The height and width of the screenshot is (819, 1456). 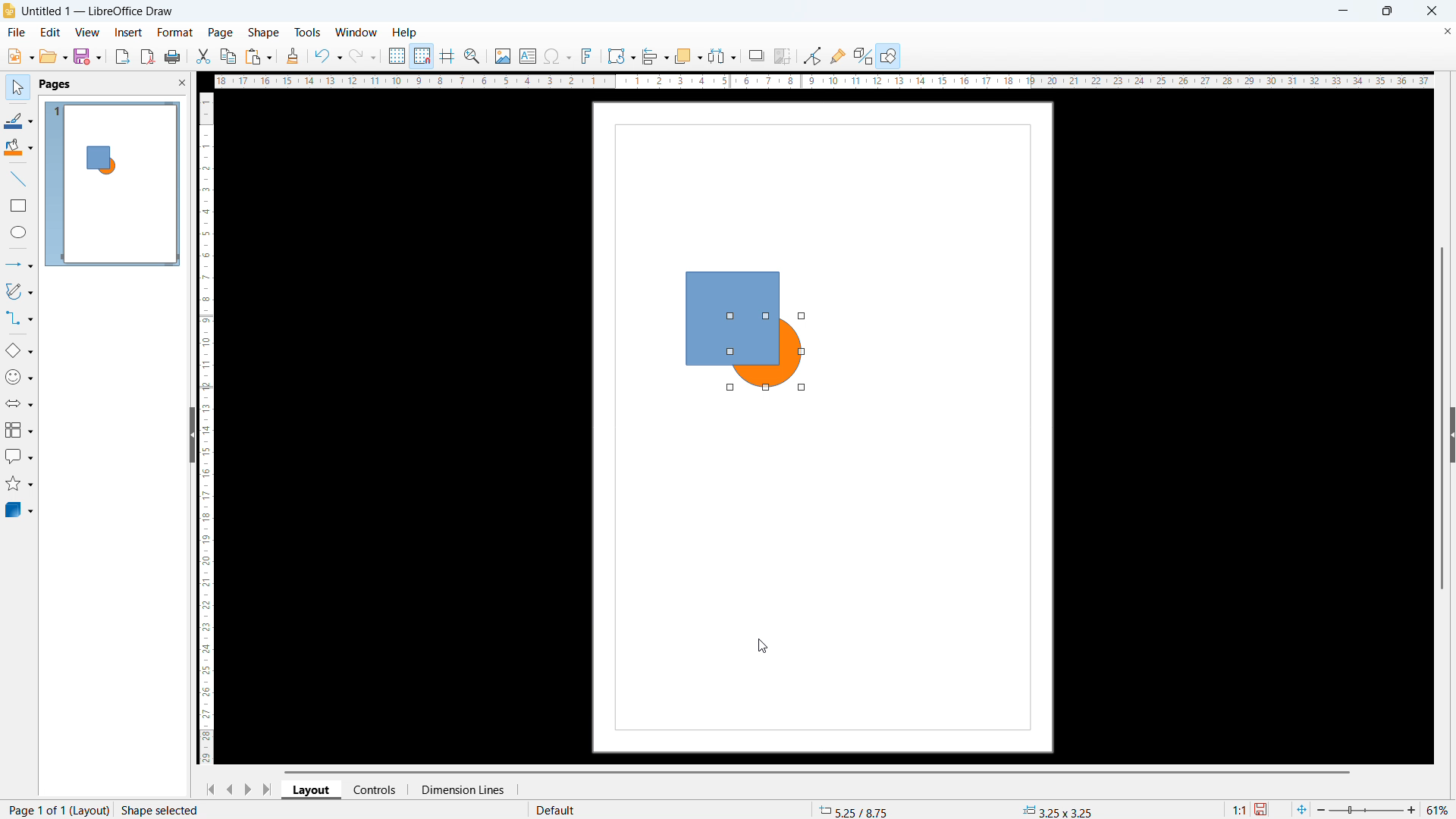 What do you see at coordinates (202, 57) in the screenshot?
I see `cut ` at bounding box center [202, 57].